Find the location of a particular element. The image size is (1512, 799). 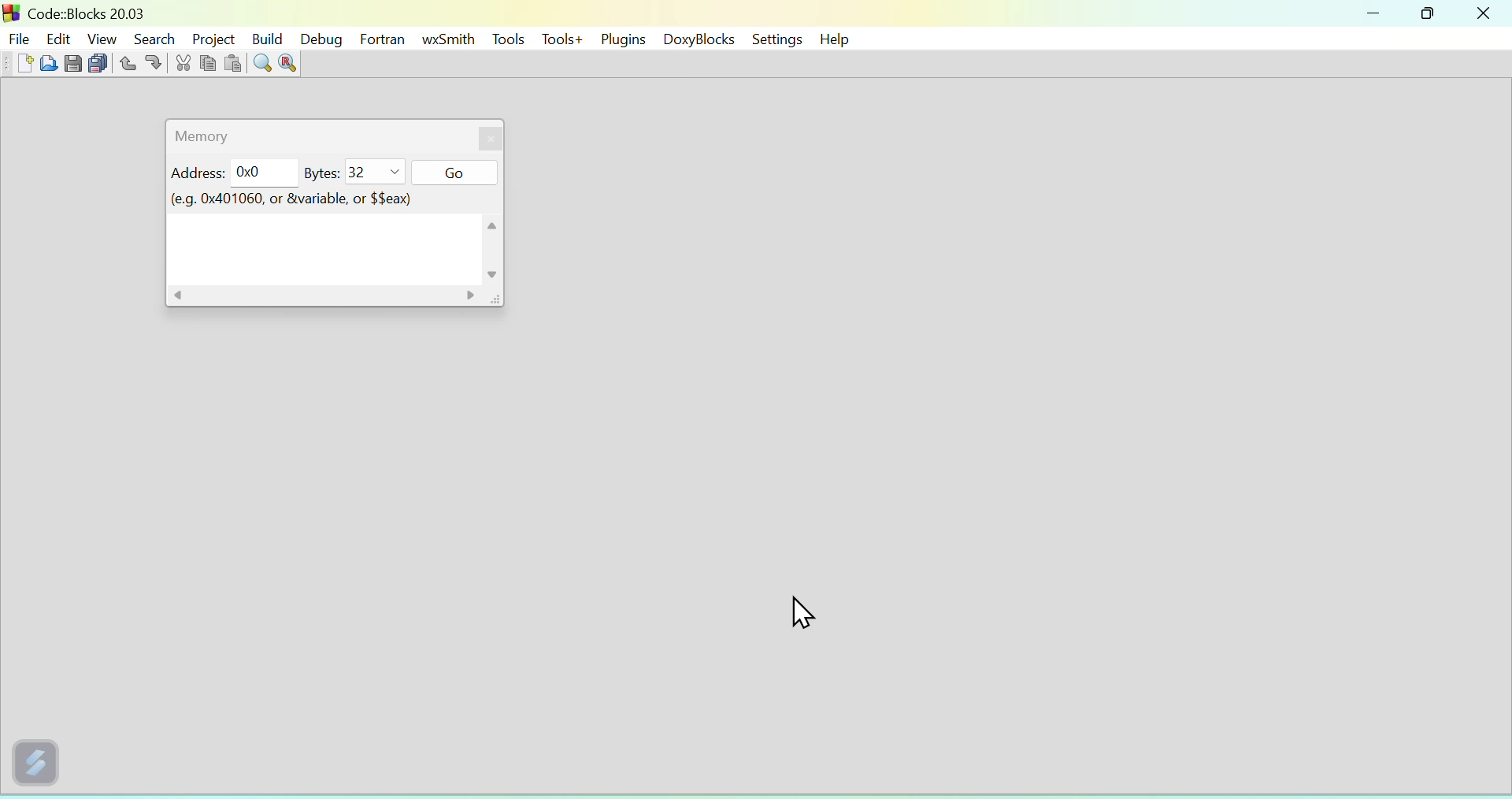

copy is located at coordinates (208, 63).